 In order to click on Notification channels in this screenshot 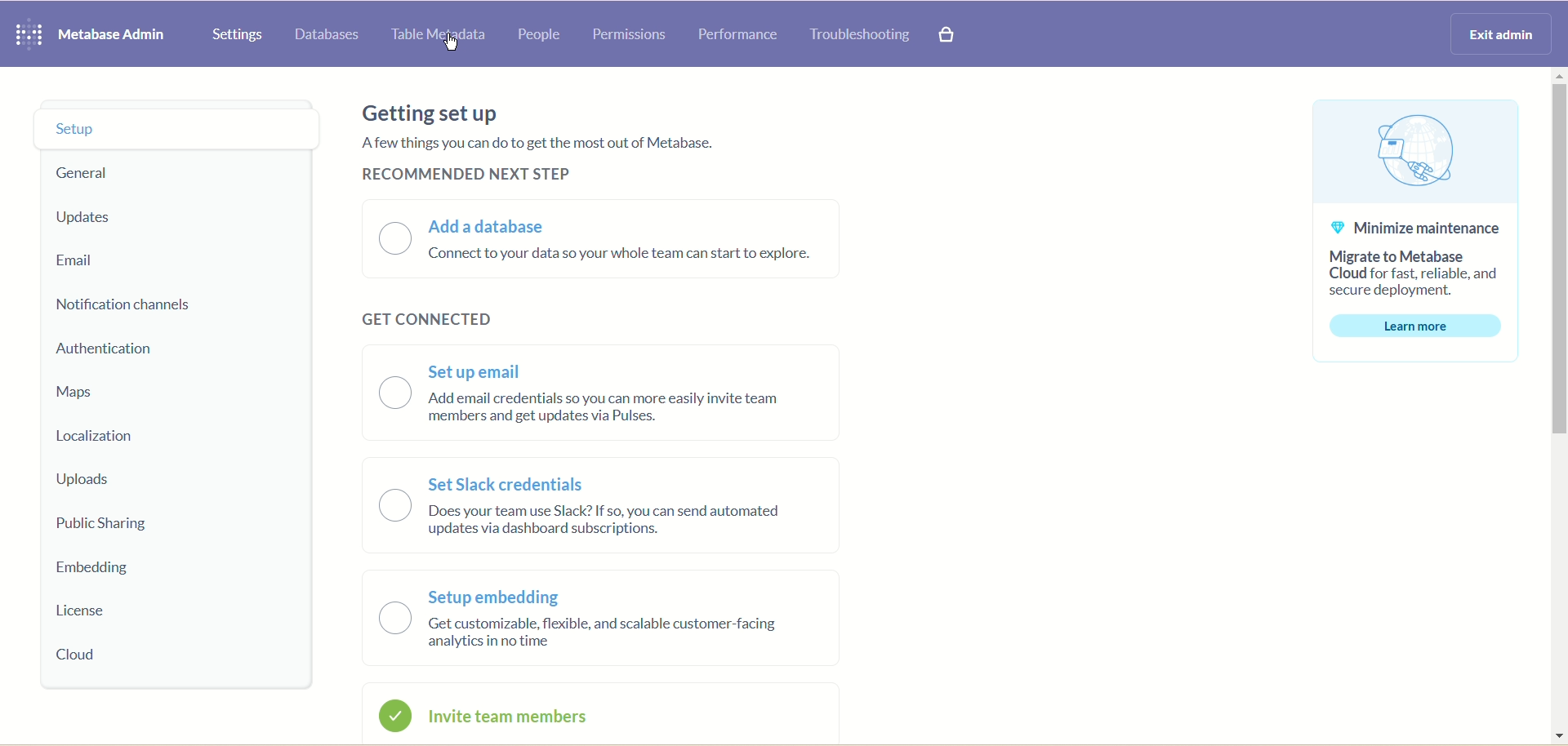, I will do `click(118, 306)`.